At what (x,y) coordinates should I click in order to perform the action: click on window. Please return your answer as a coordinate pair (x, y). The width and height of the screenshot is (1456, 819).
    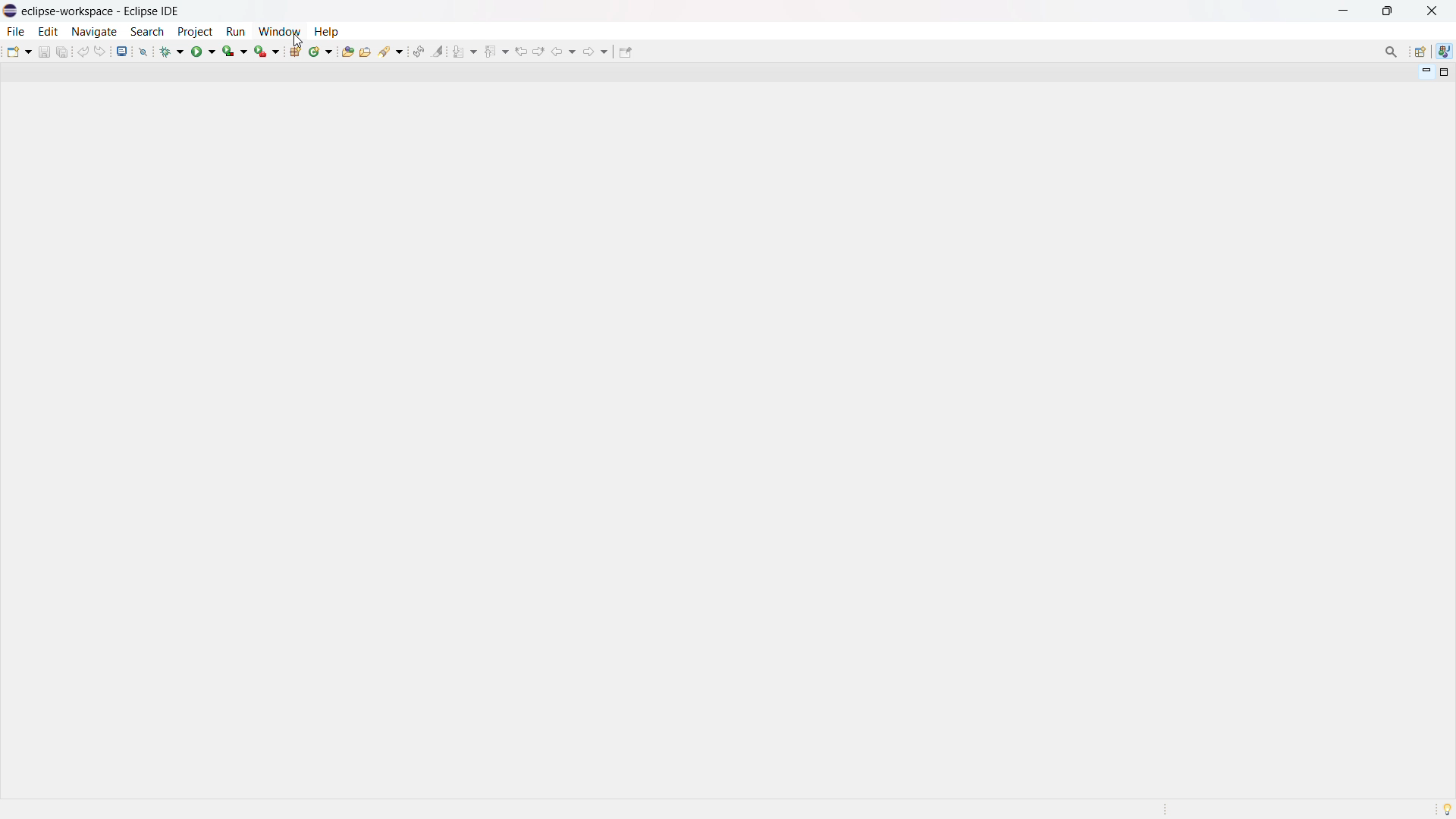
    Looking at the image, I should click on (279, 31).